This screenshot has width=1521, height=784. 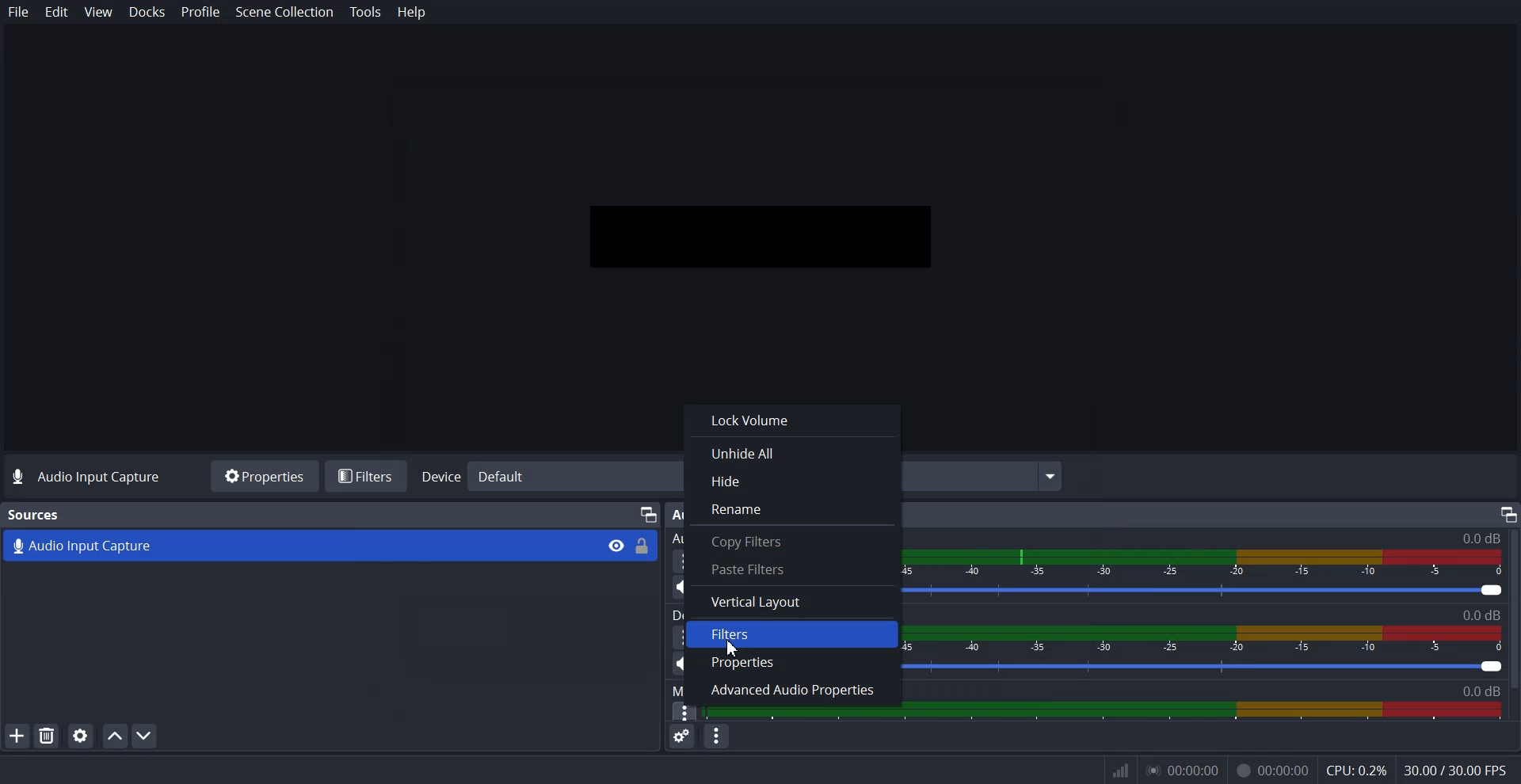 I want to click on View, so click(x=612, y=546).